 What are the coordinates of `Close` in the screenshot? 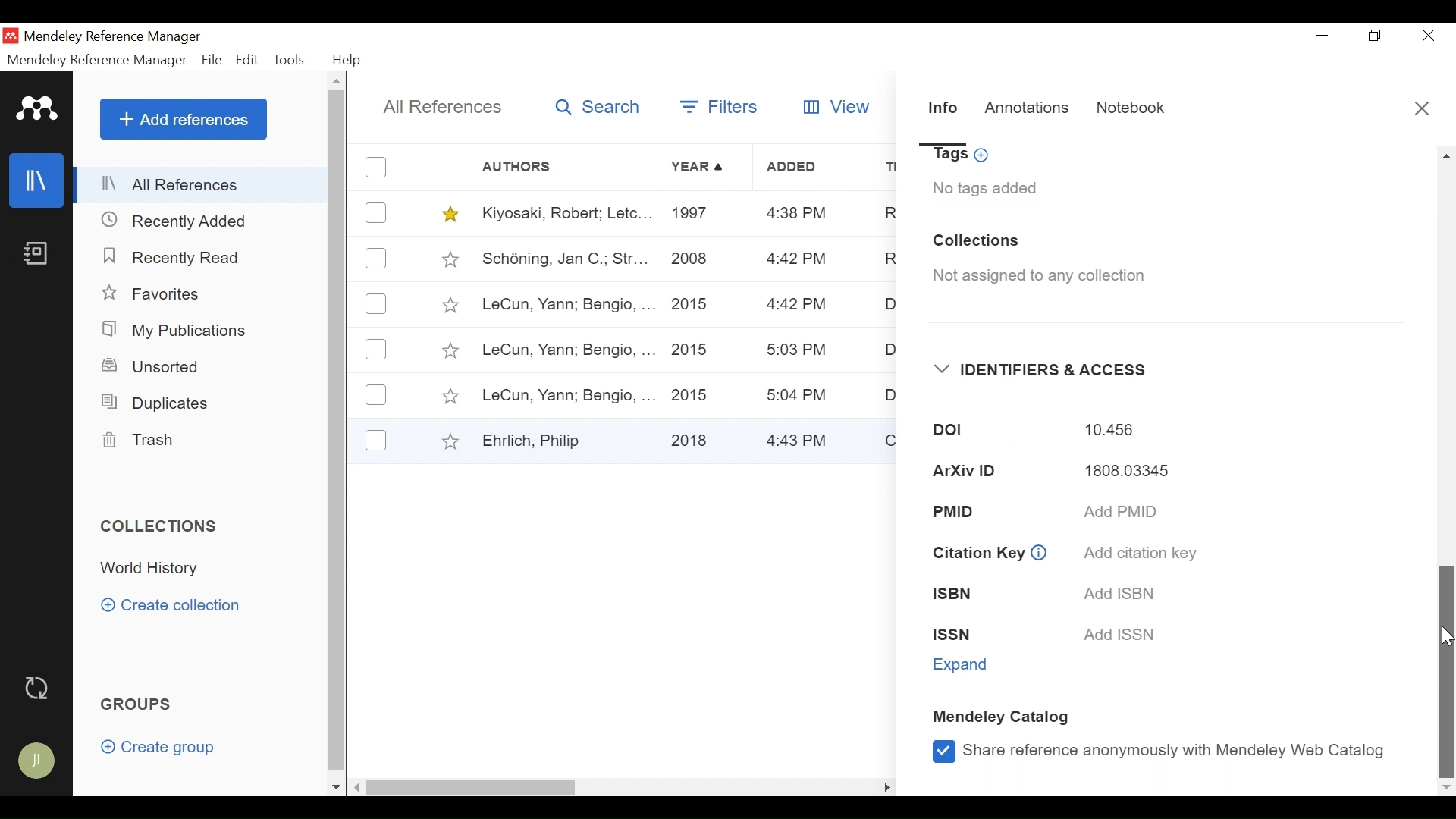 It's located at (1422, 108).